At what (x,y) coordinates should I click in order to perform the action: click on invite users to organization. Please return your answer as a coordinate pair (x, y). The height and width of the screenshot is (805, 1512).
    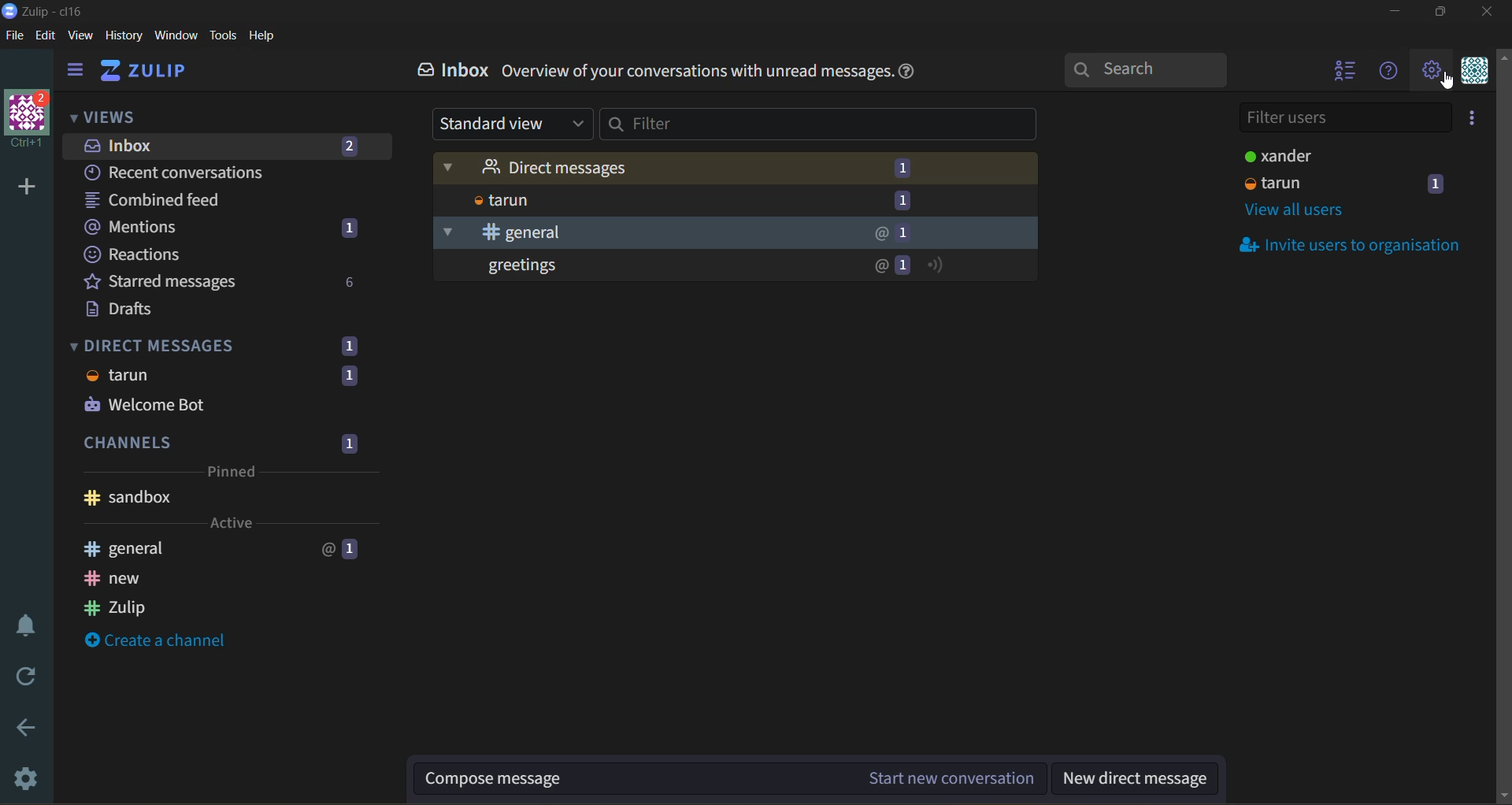
    Looking at the image, I should click on (1479, 120).